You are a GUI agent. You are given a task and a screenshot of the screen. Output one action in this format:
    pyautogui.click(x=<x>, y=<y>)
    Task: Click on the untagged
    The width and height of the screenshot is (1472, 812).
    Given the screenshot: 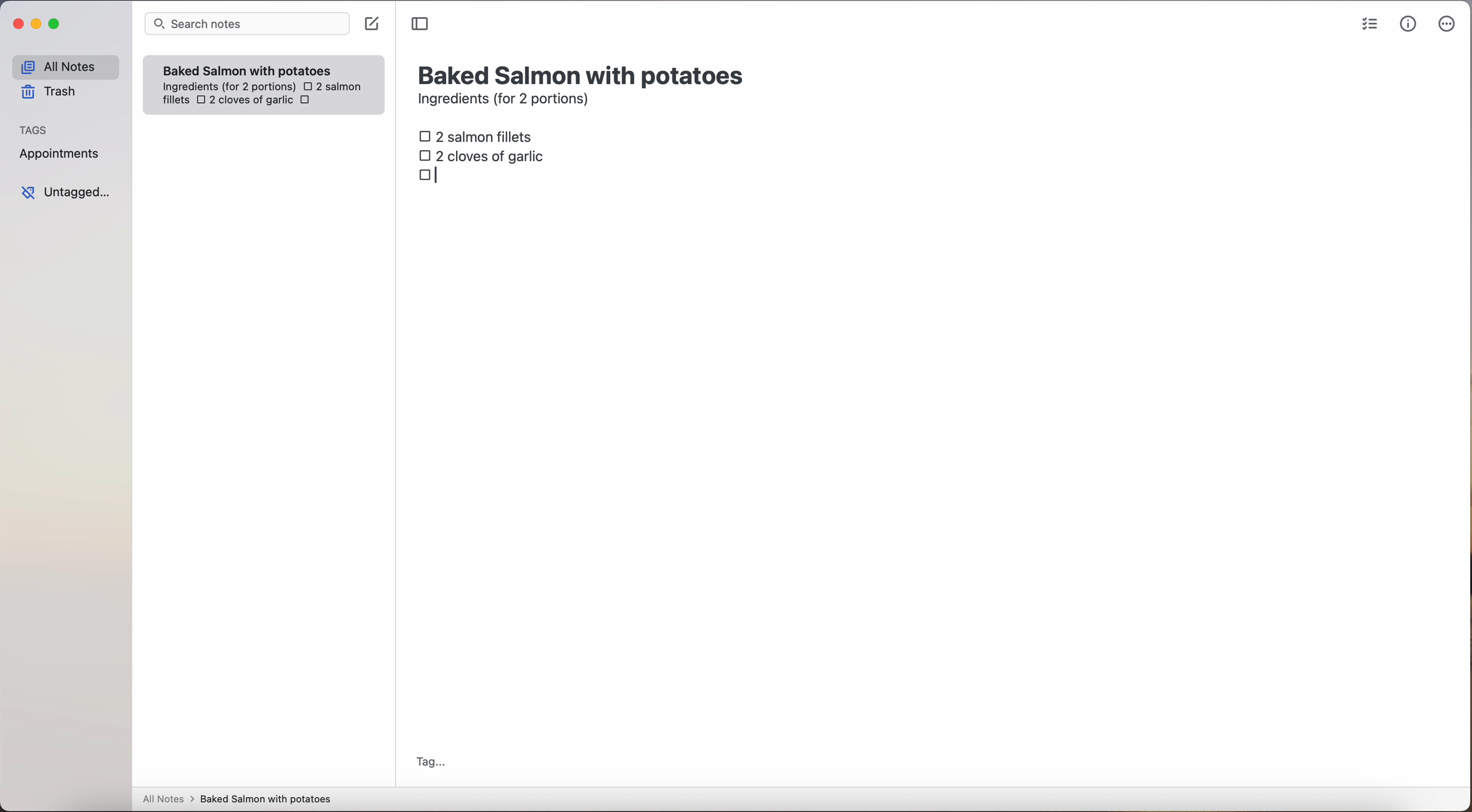 What is the action you would take?
    pyautogui.click(x=67, y=192)
    